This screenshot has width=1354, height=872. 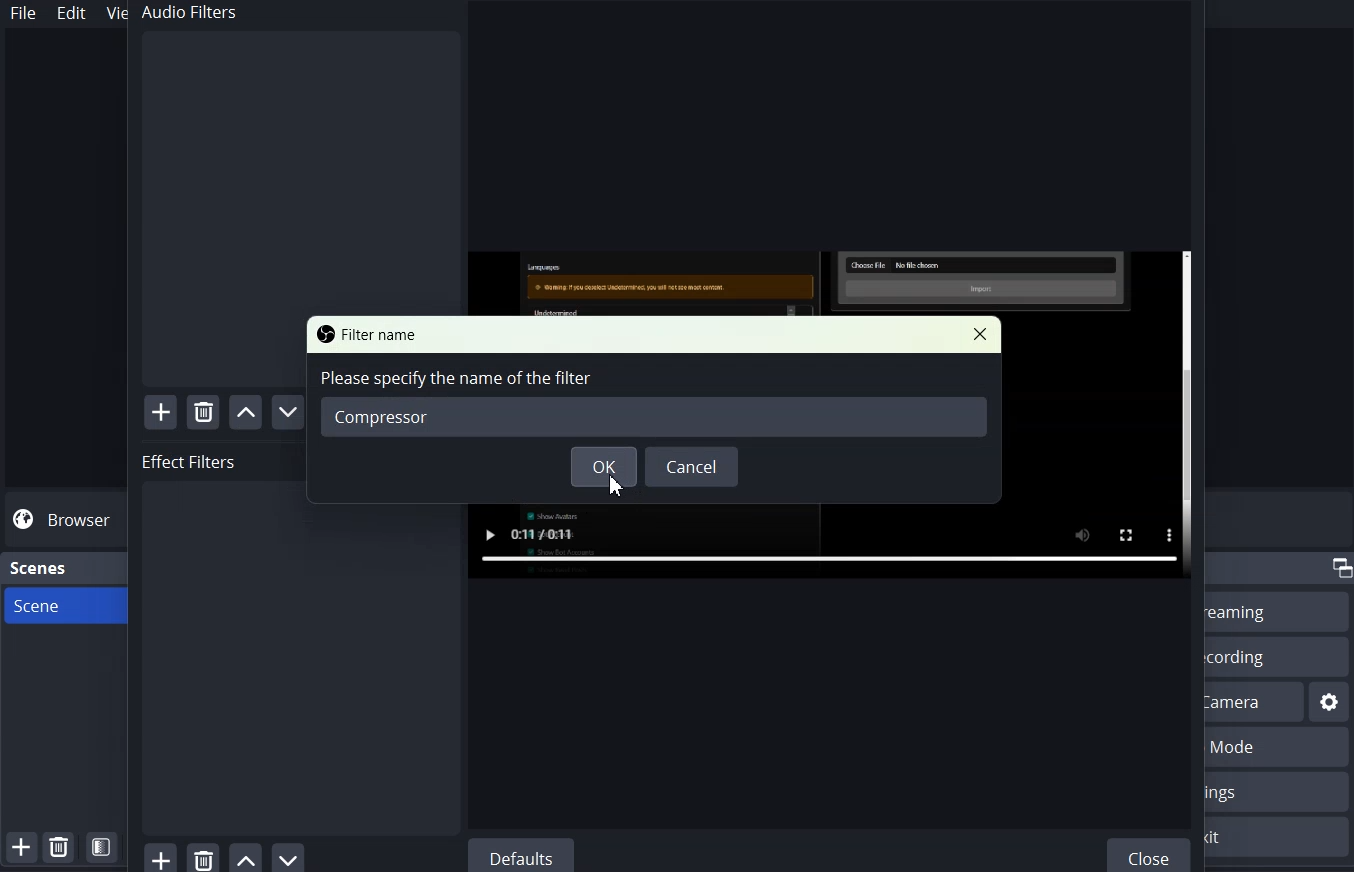 What do you see at coordinates (1278, 611) in the screenshot?
I see `Start Streaming` at bounding box center [1278, 611].